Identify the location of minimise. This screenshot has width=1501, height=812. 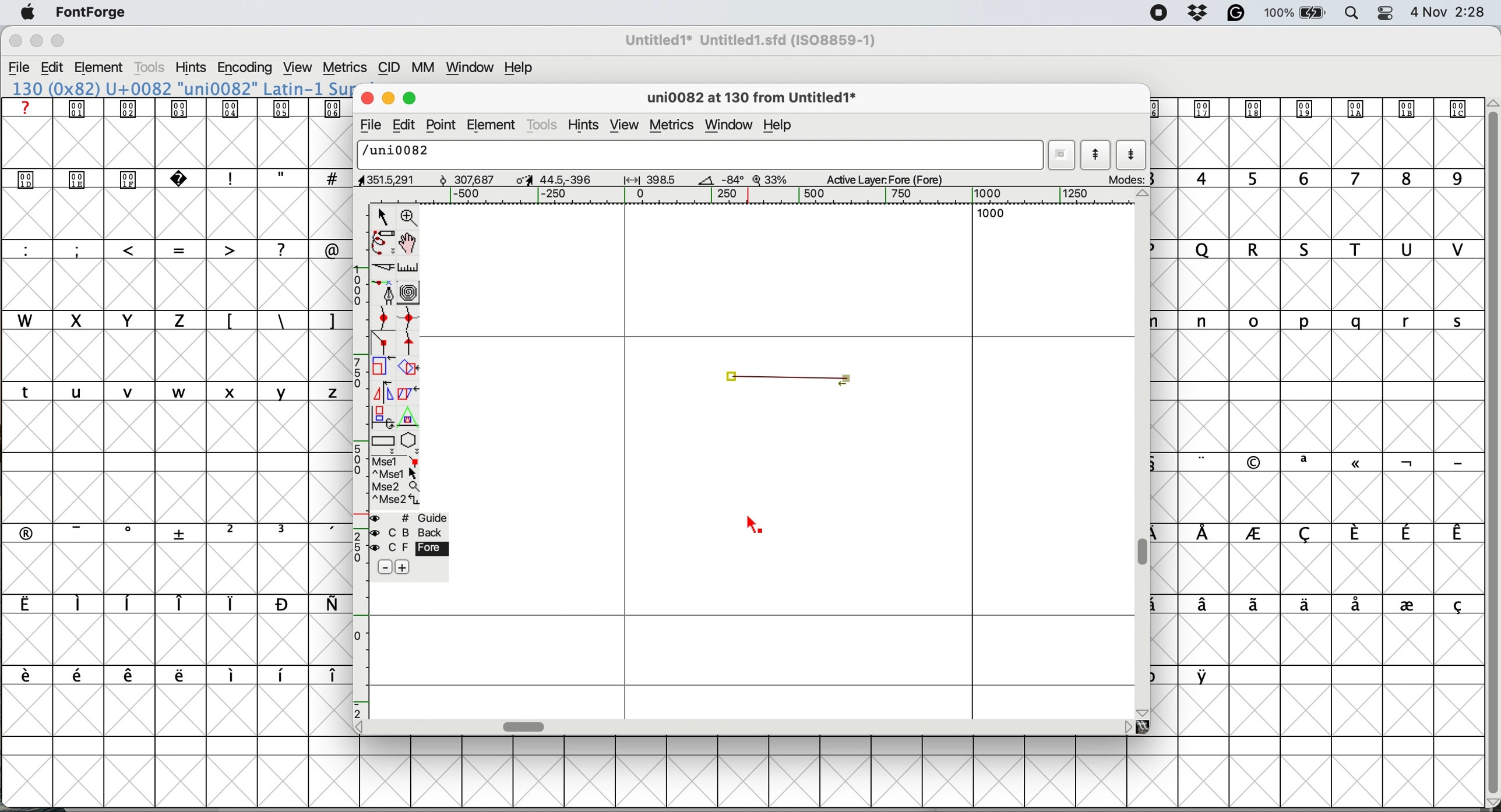
(36, 41).